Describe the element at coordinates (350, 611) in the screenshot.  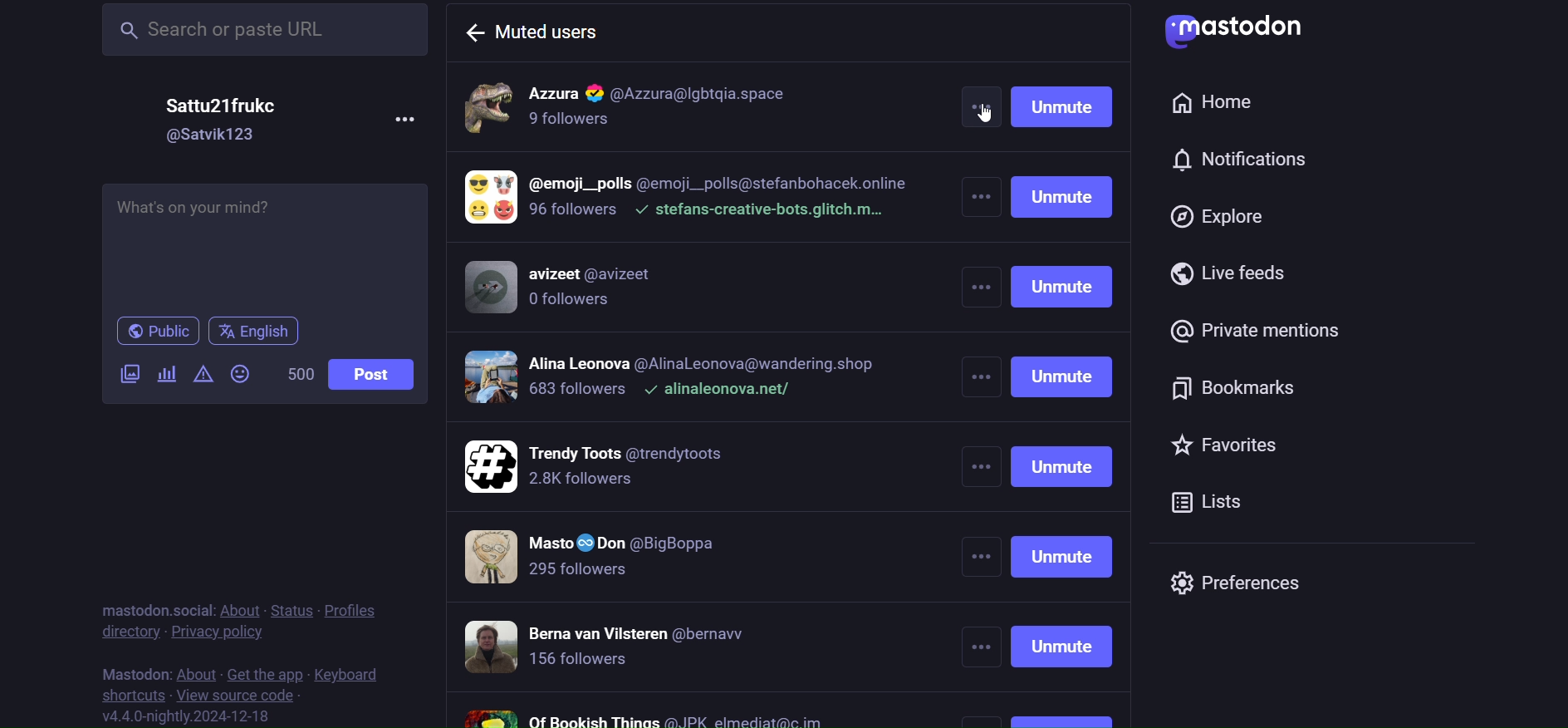
I see `profiles` at that location.